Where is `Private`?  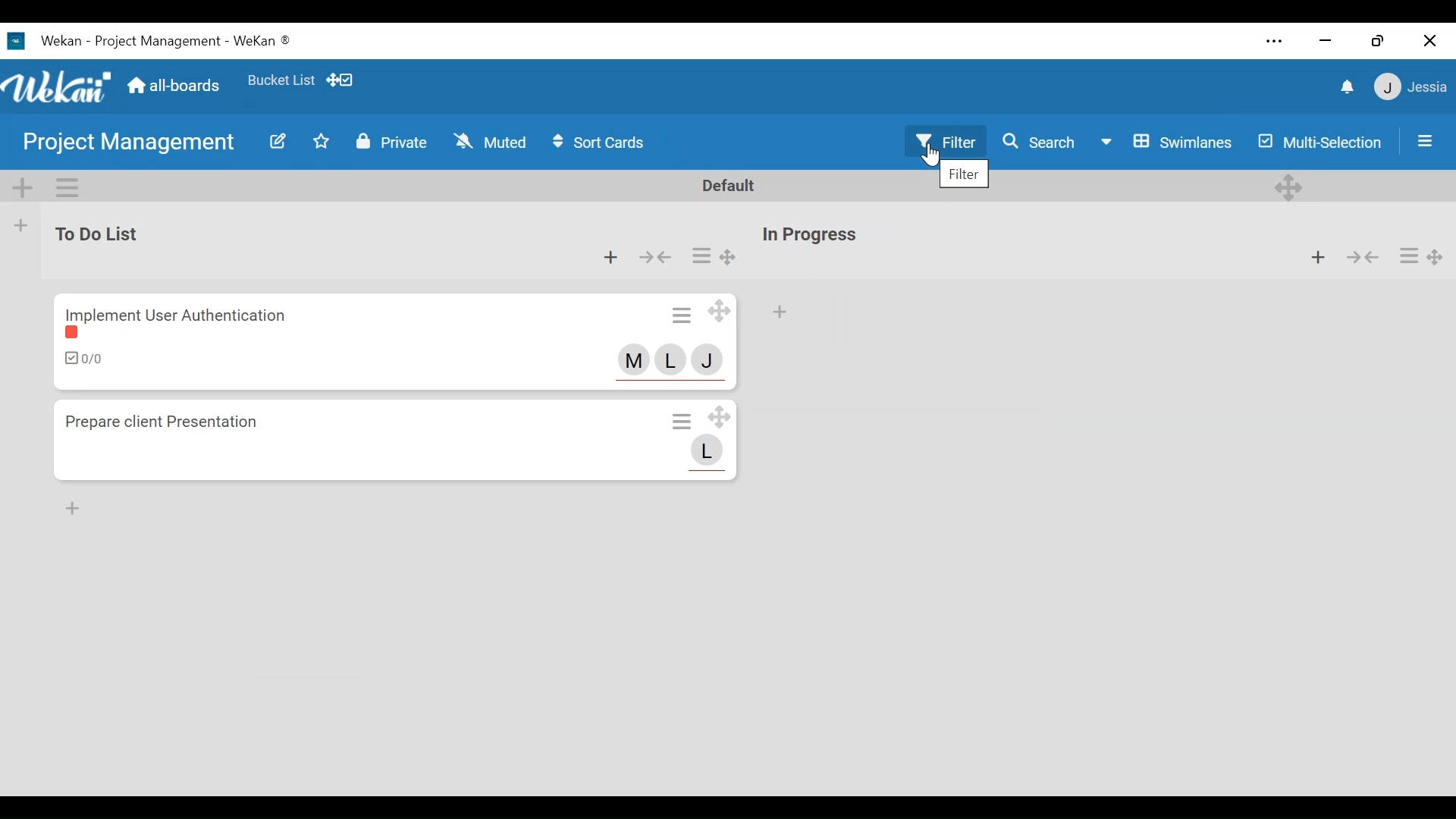 Private is located at coordinates (393, 141).